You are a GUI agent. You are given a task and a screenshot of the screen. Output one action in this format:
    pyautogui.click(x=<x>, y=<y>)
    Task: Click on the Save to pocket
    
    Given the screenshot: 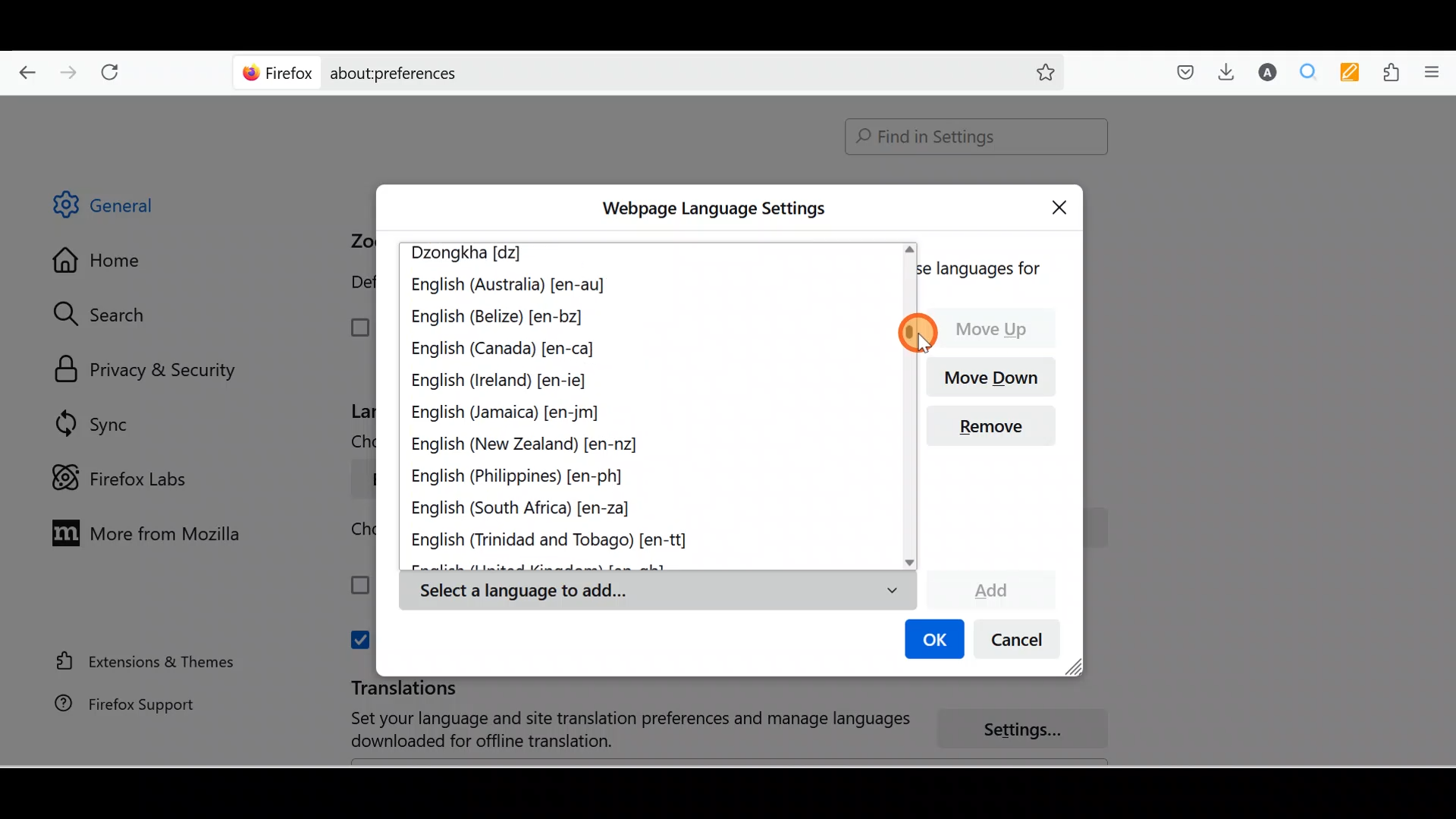 What is the action you would take?
    pyautogui.click(x=1180, y=73)
    